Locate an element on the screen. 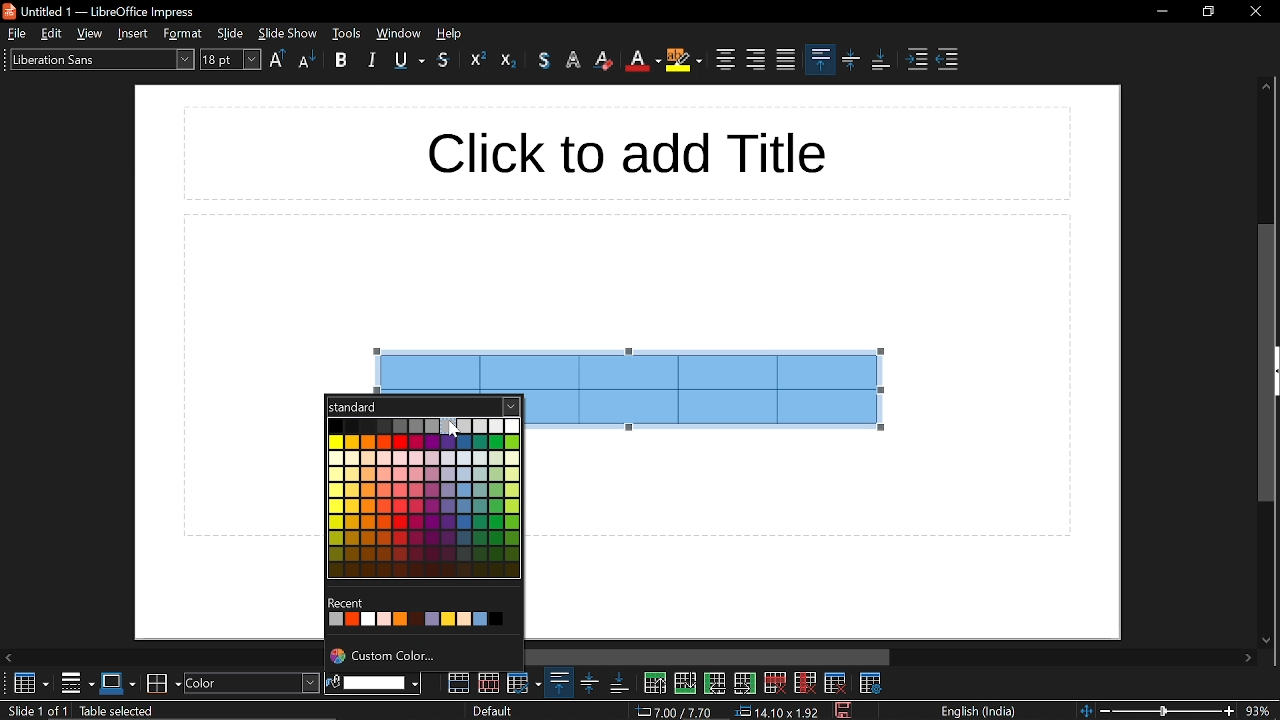 Image resolution: width=1280 pixels, height=720 pixels. fill color is located at coordinates (333, 681).